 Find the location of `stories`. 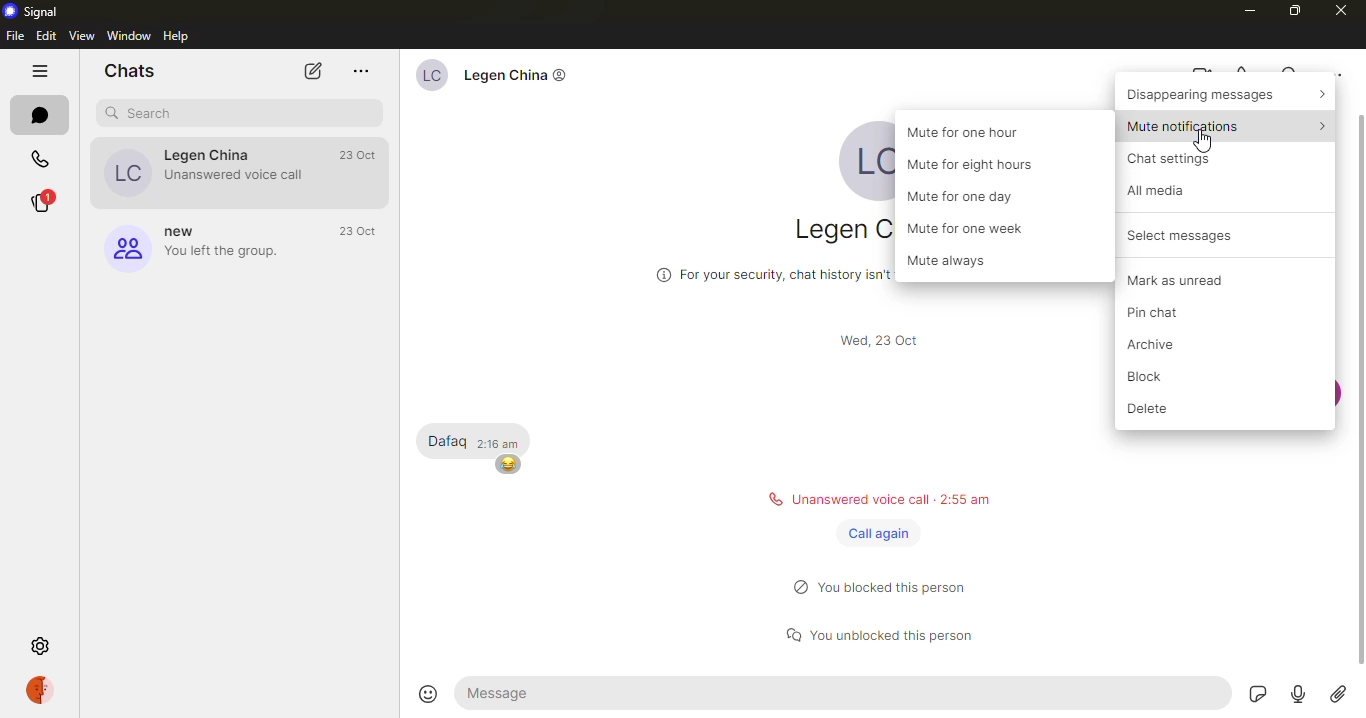

stories is located at coordinates (43, 202).